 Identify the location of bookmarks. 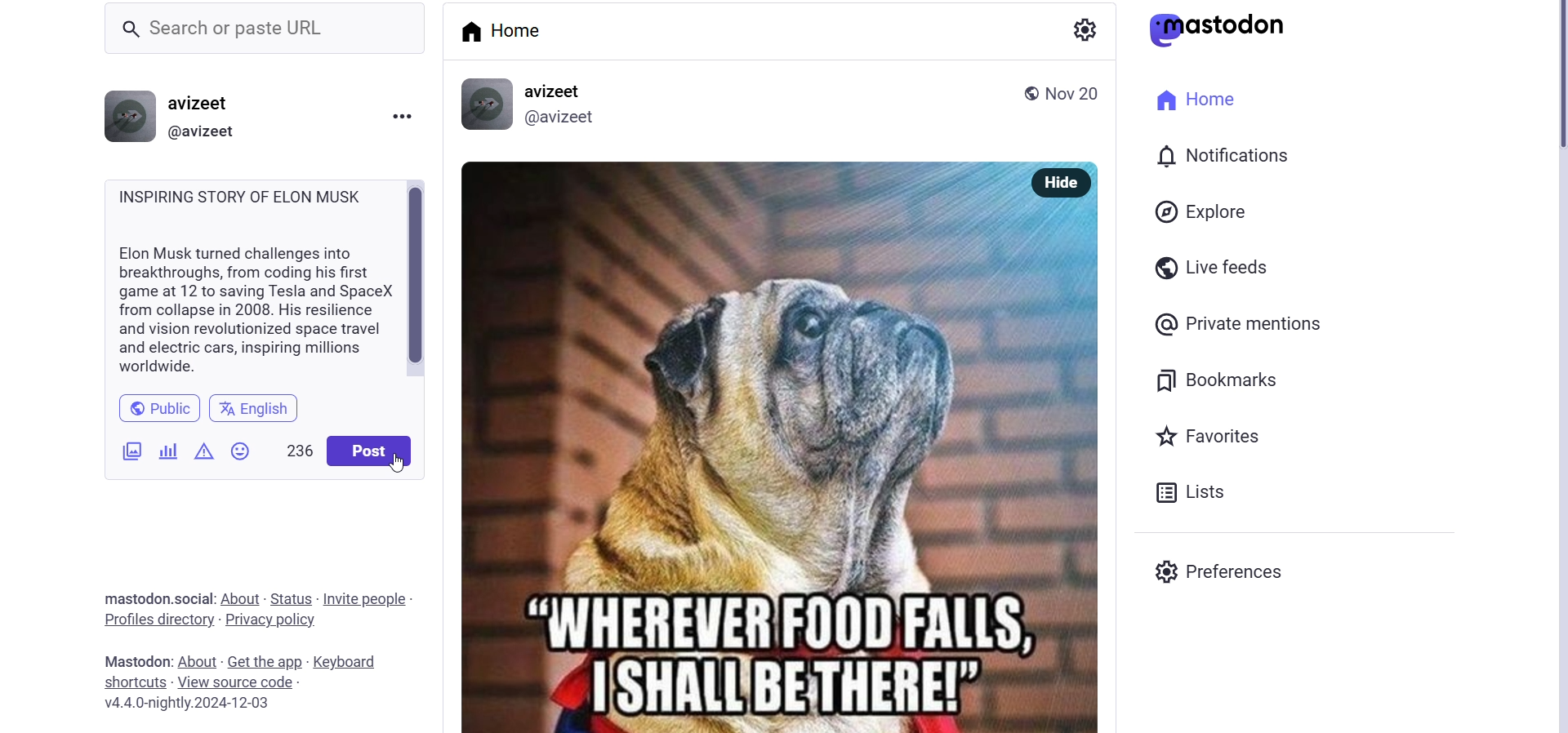
(1223, 377).